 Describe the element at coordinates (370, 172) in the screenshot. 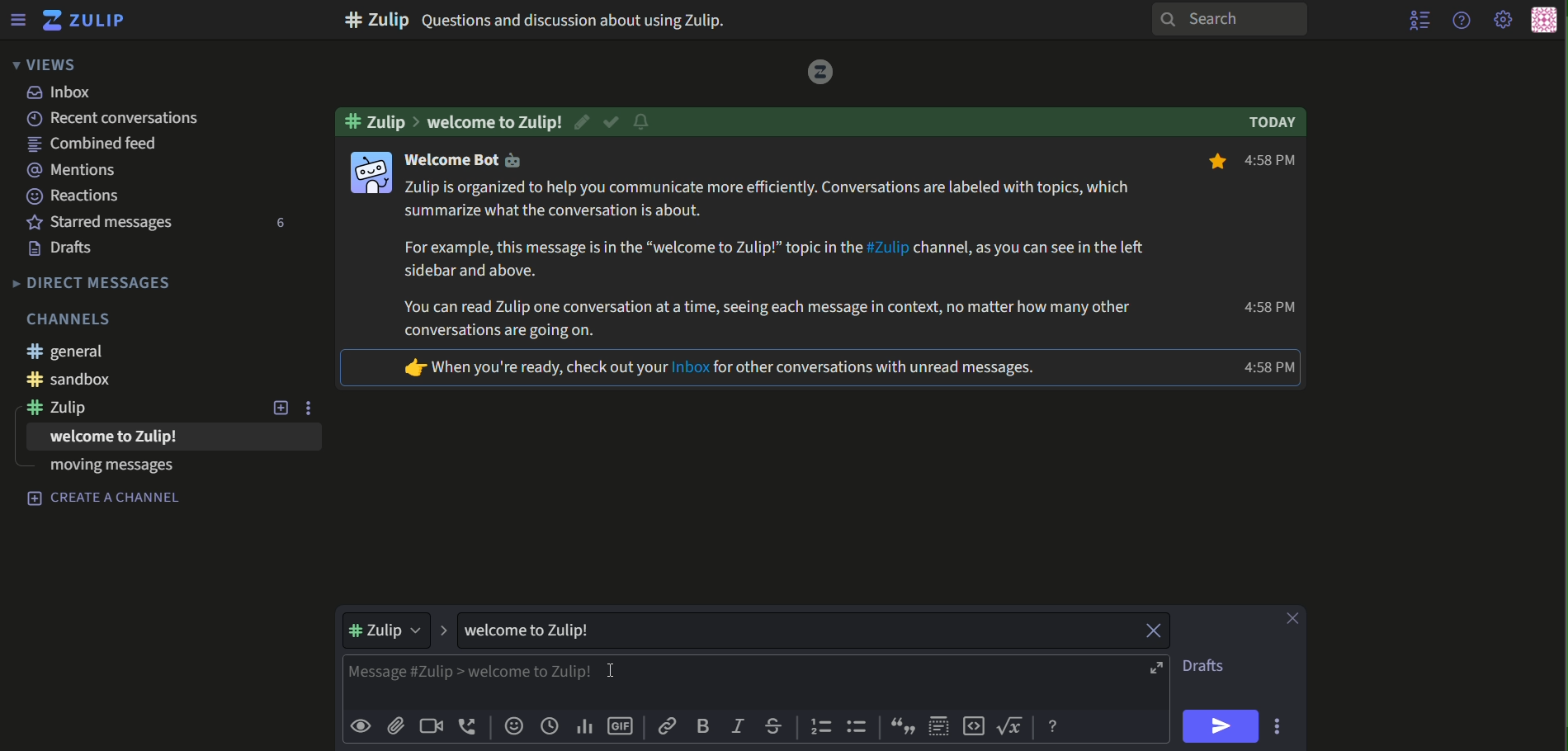

I see `icon` at that location.